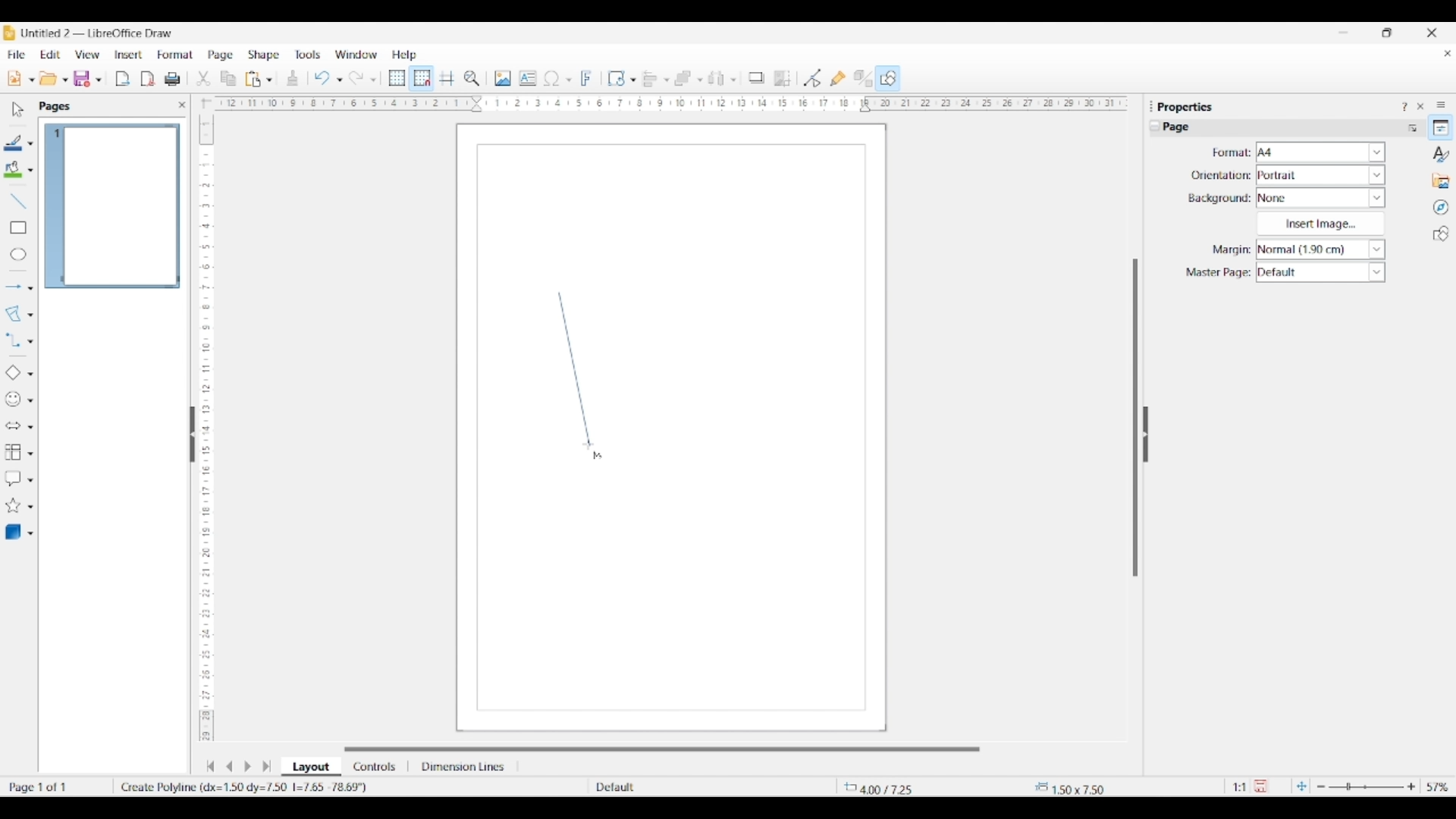 The width and height of the screenshot is (1456, 819). Describe the element at coordinates (1321, 174) in the screenshot. I see `Orientation options` at that location.